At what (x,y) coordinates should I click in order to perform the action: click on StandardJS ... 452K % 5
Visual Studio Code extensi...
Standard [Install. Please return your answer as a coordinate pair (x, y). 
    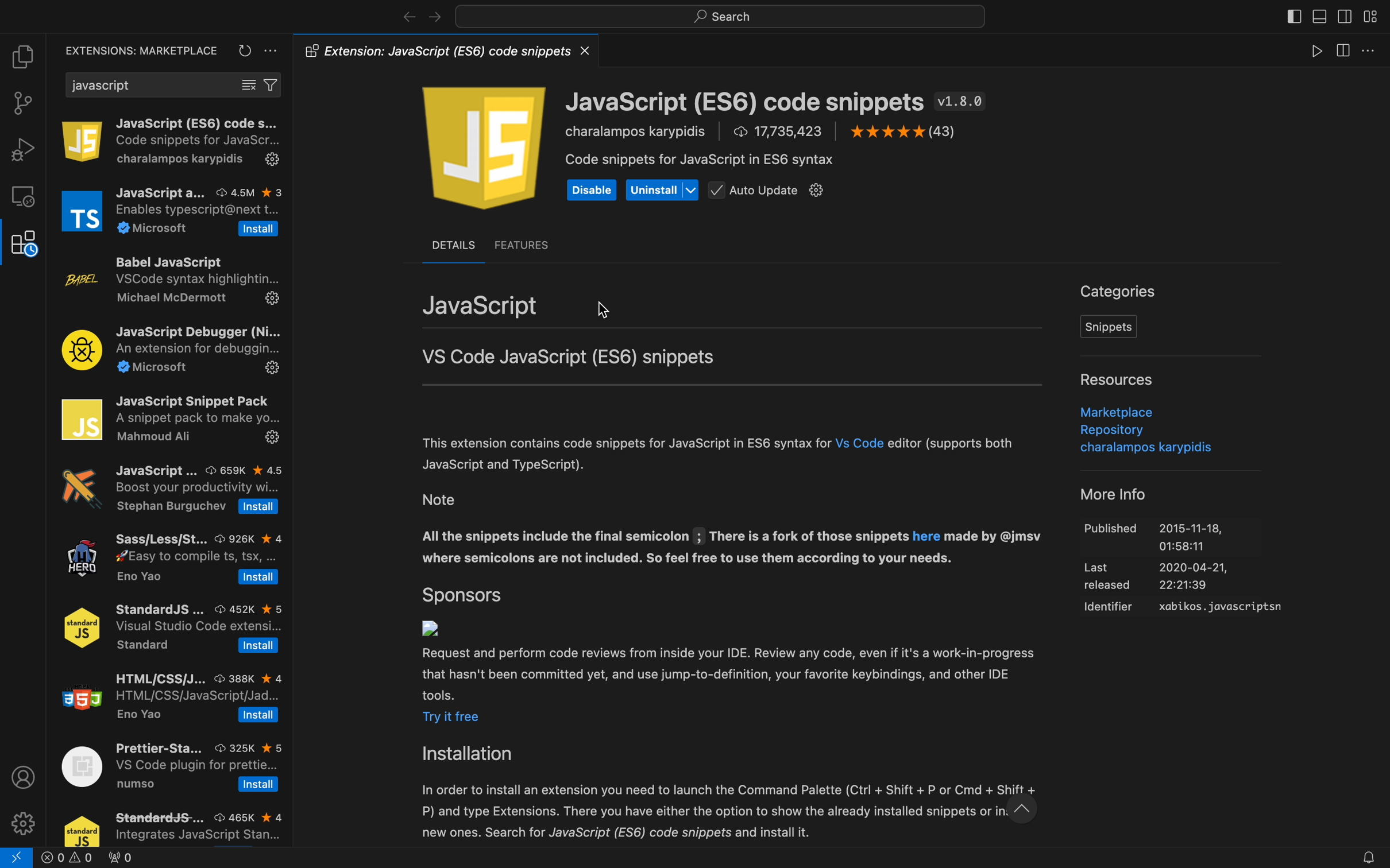
    Looking at the image, I should click on (168, 626).